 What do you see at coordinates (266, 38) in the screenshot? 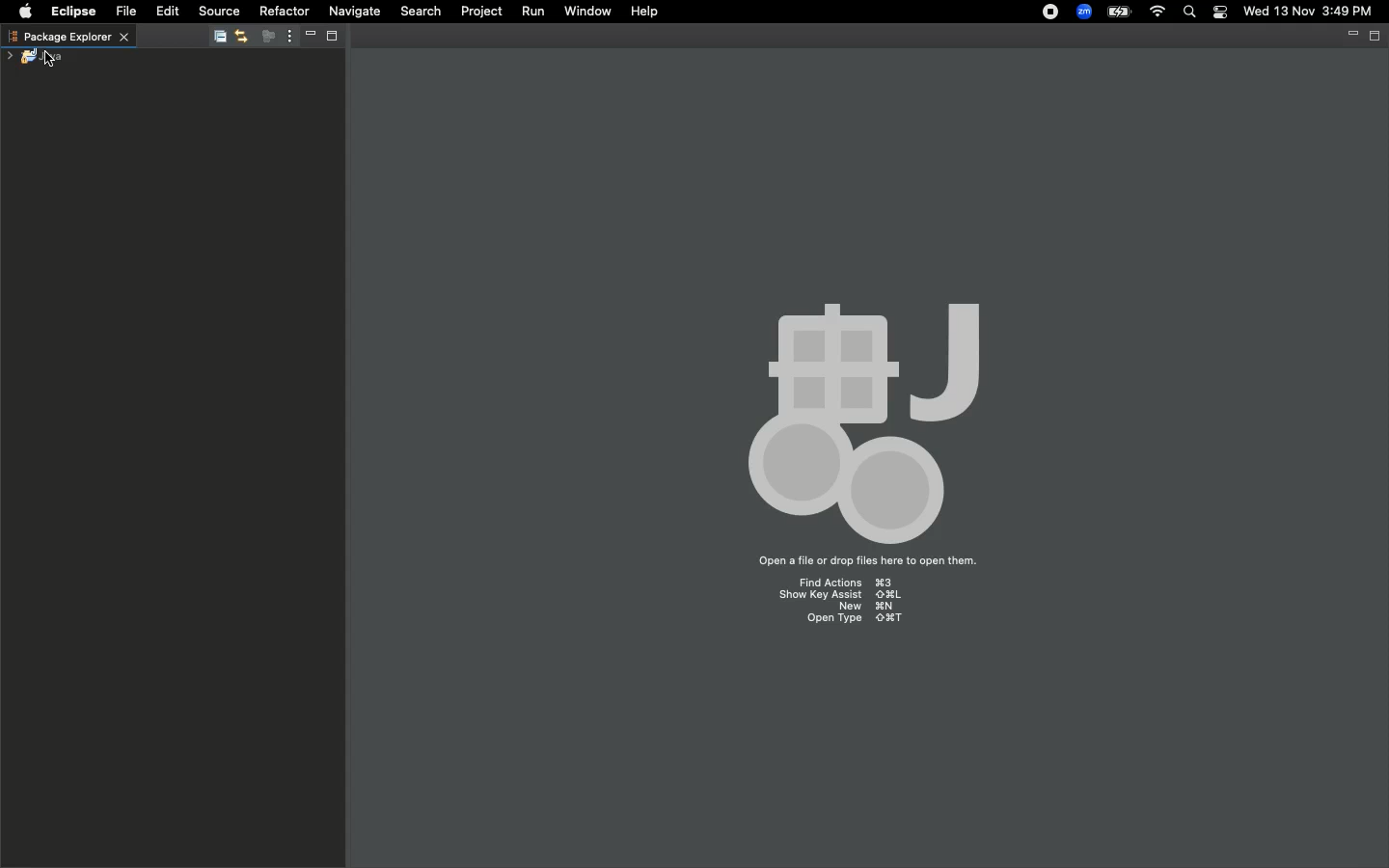
I see `Focus on active task` at bounding box center [266, 38].